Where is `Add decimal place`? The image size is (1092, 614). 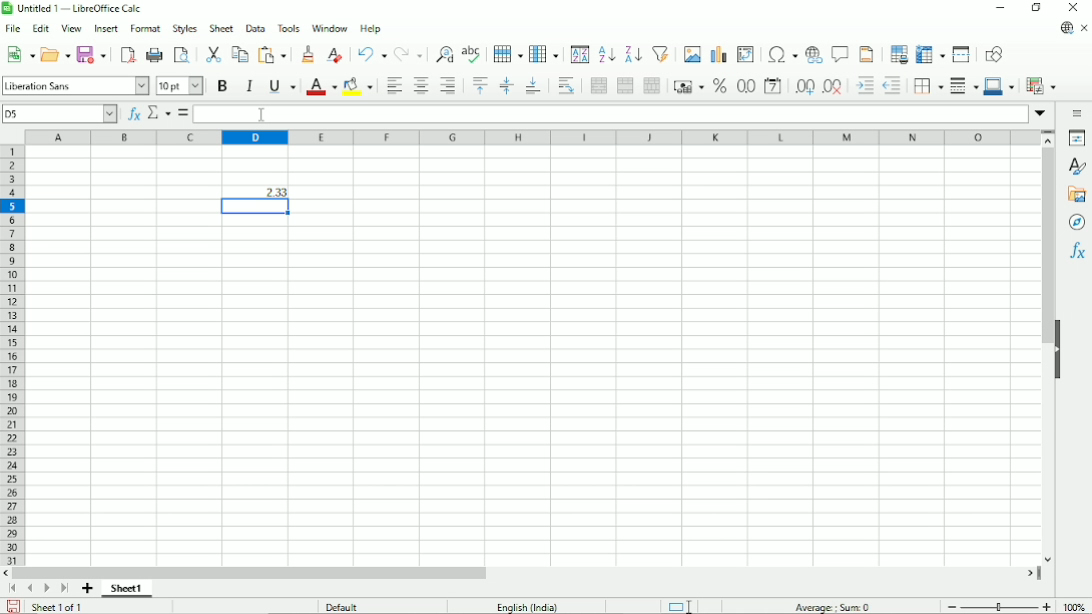
Add decimal place is located at coordinates (804, 87).